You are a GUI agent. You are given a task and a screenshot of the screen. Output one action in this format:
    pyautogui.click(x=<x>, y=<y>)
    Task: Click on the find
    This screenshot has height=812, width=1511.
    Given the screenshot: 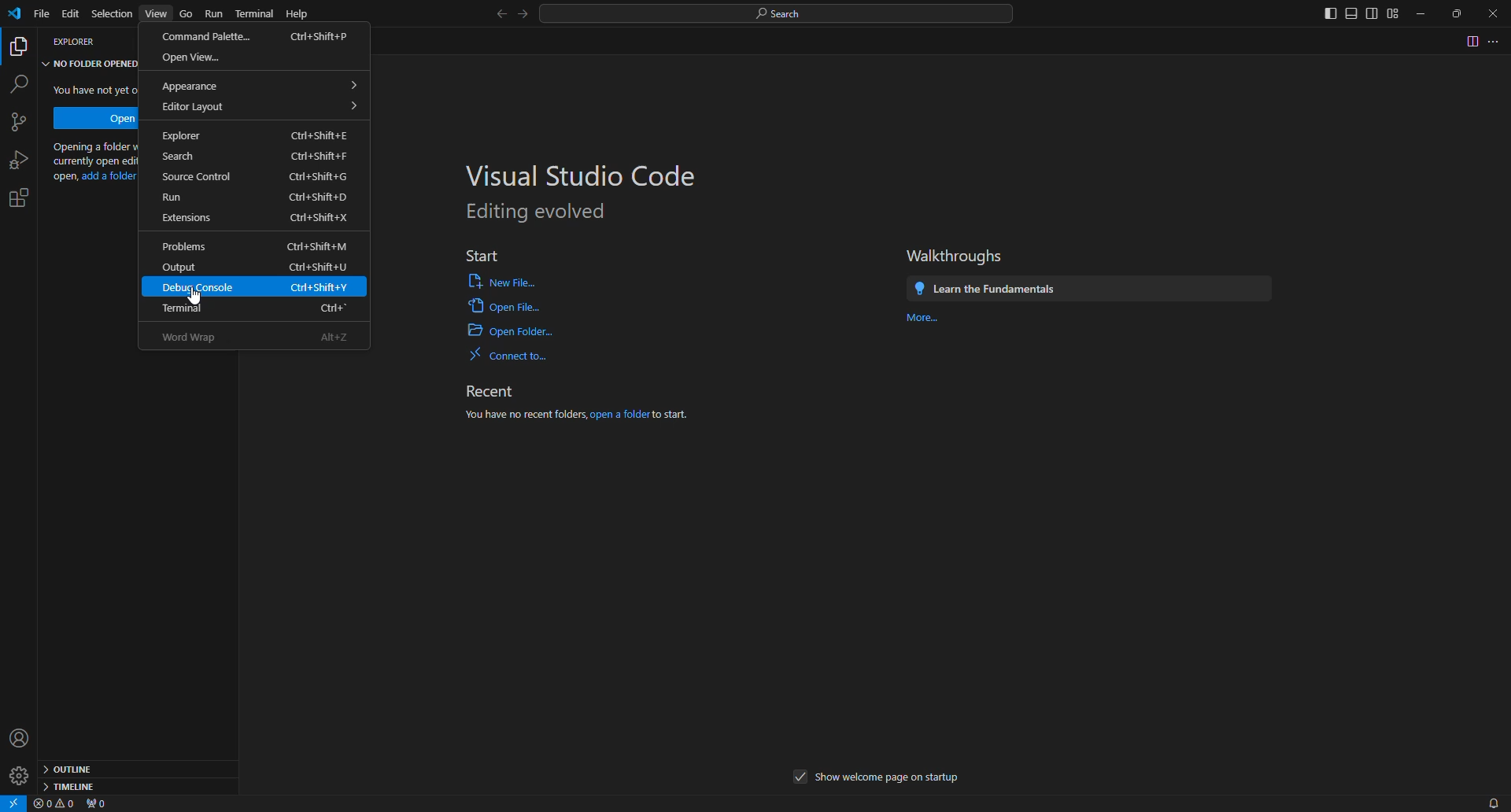 What is the action you would take?
    pyautogui.click(x=24, y=82)
    